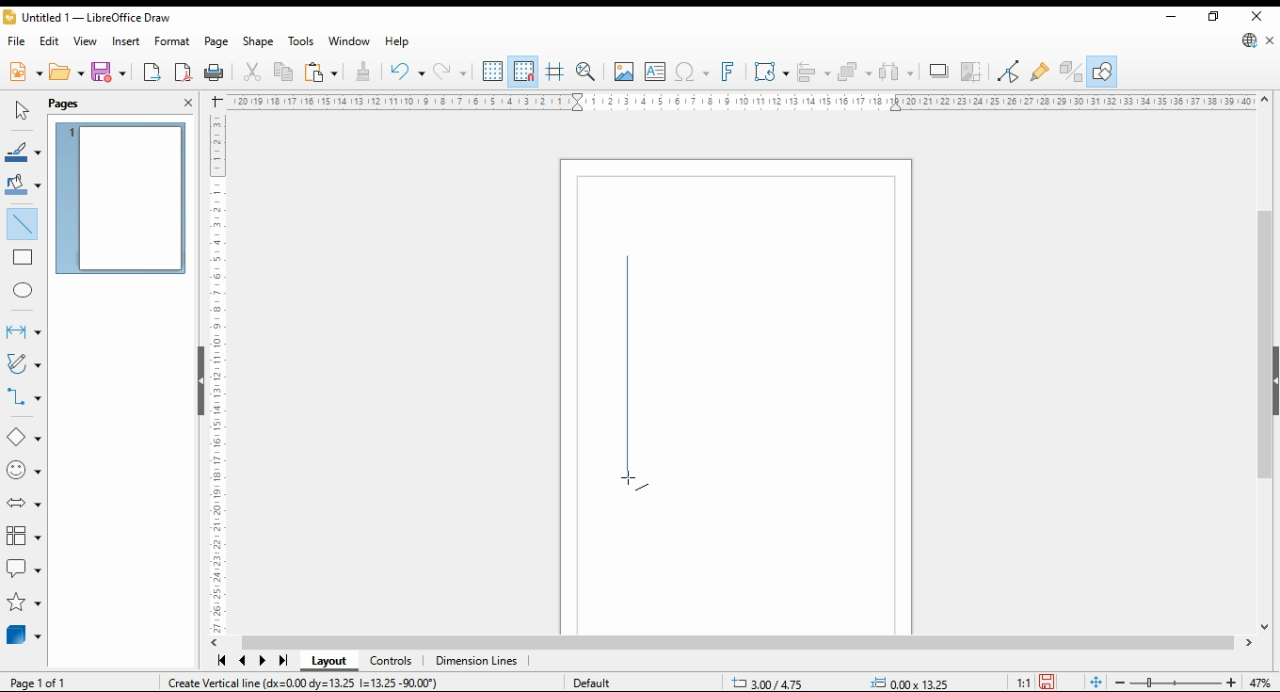 The image size is (1280, 692). I want to click on symbol shapes, so click(25, 471).